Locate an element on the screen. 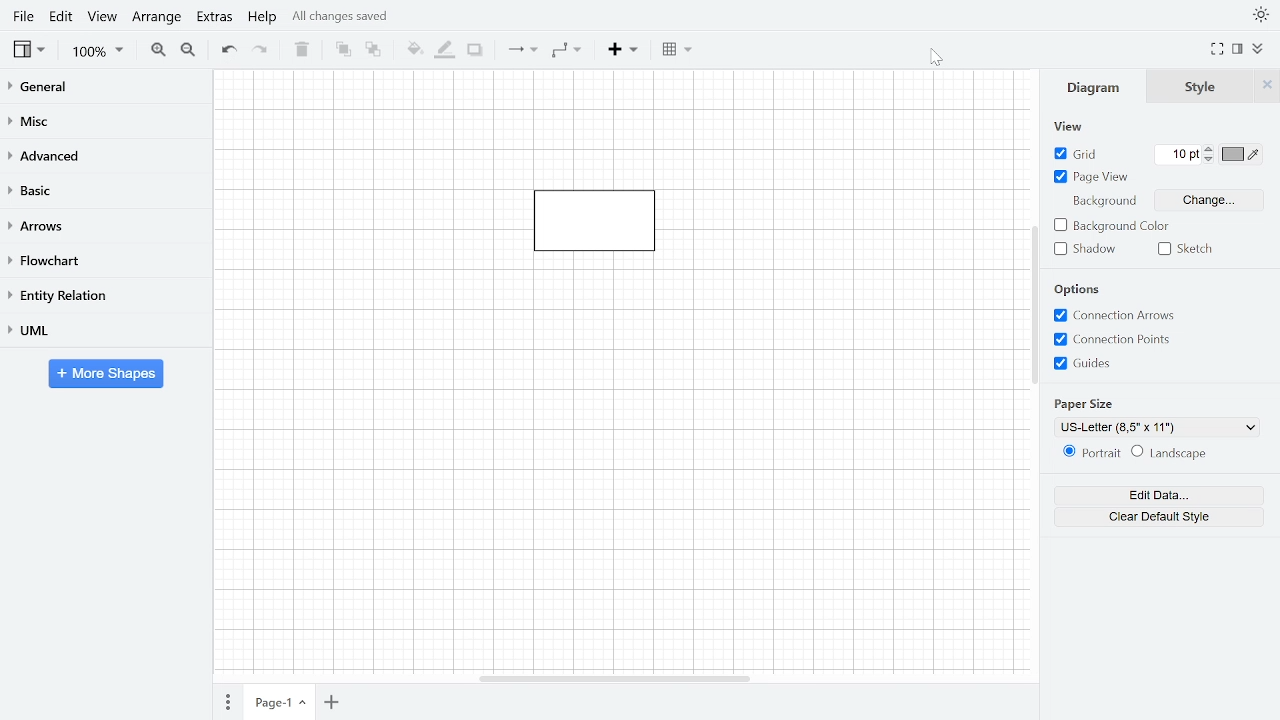 This screenshot has width=1280, height=720. To back is located at coordinates (372, 50).